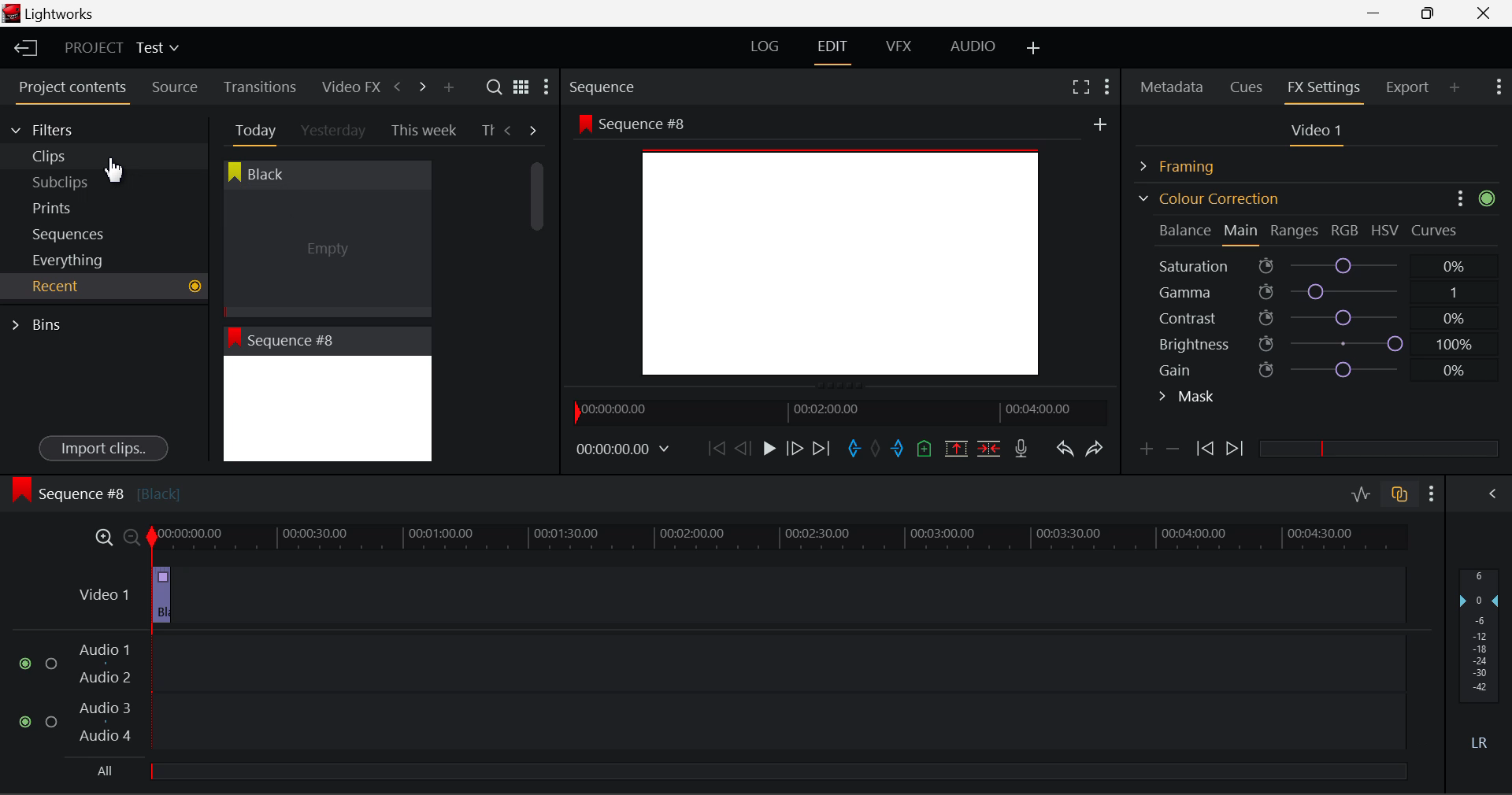  I want to click on To End, so click(821, 449).